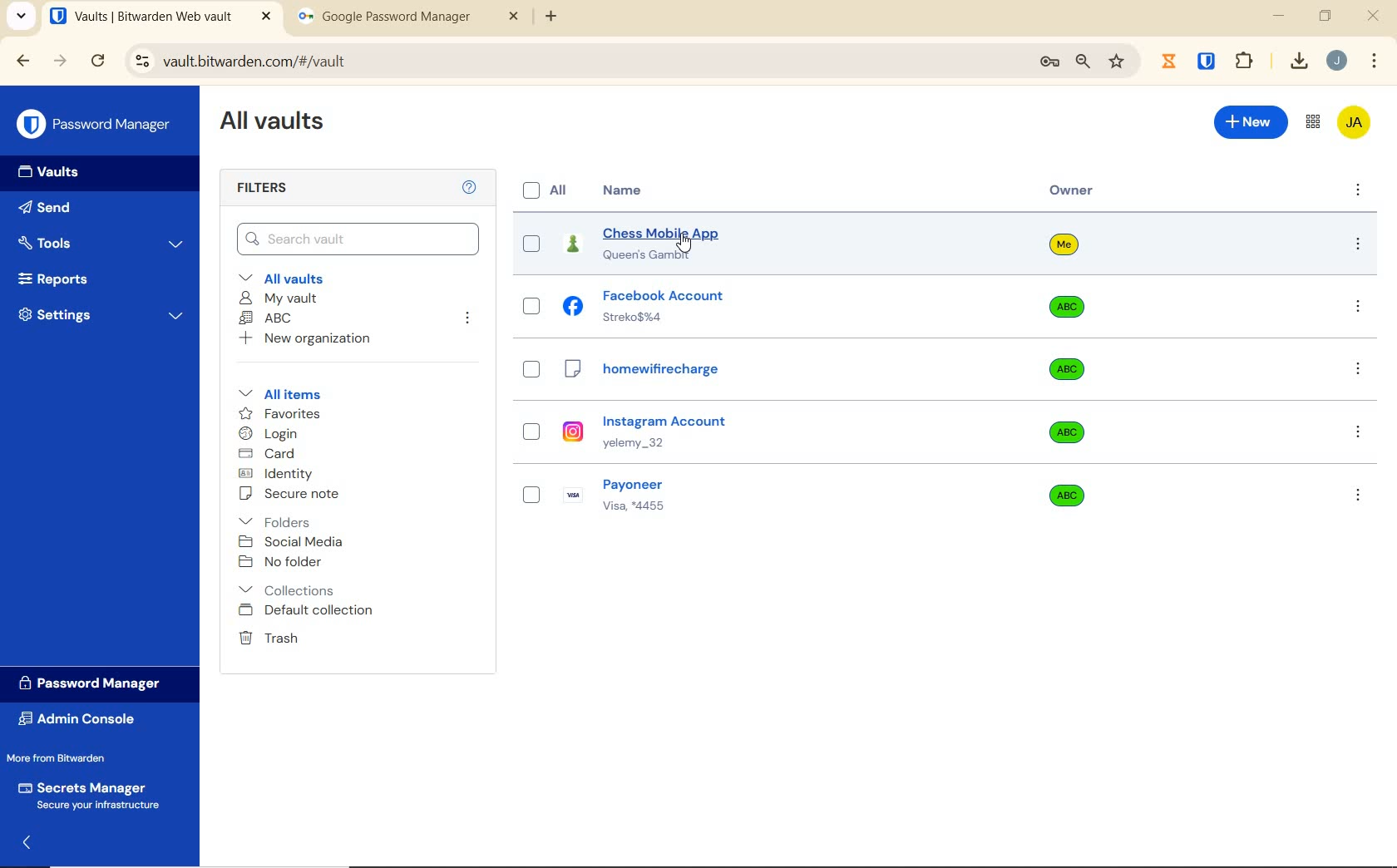 The image size is (1397, 868). What do you see at coordinates (22, 62) in the screenshot?
I see `backward` at bounding box center [22, 62].